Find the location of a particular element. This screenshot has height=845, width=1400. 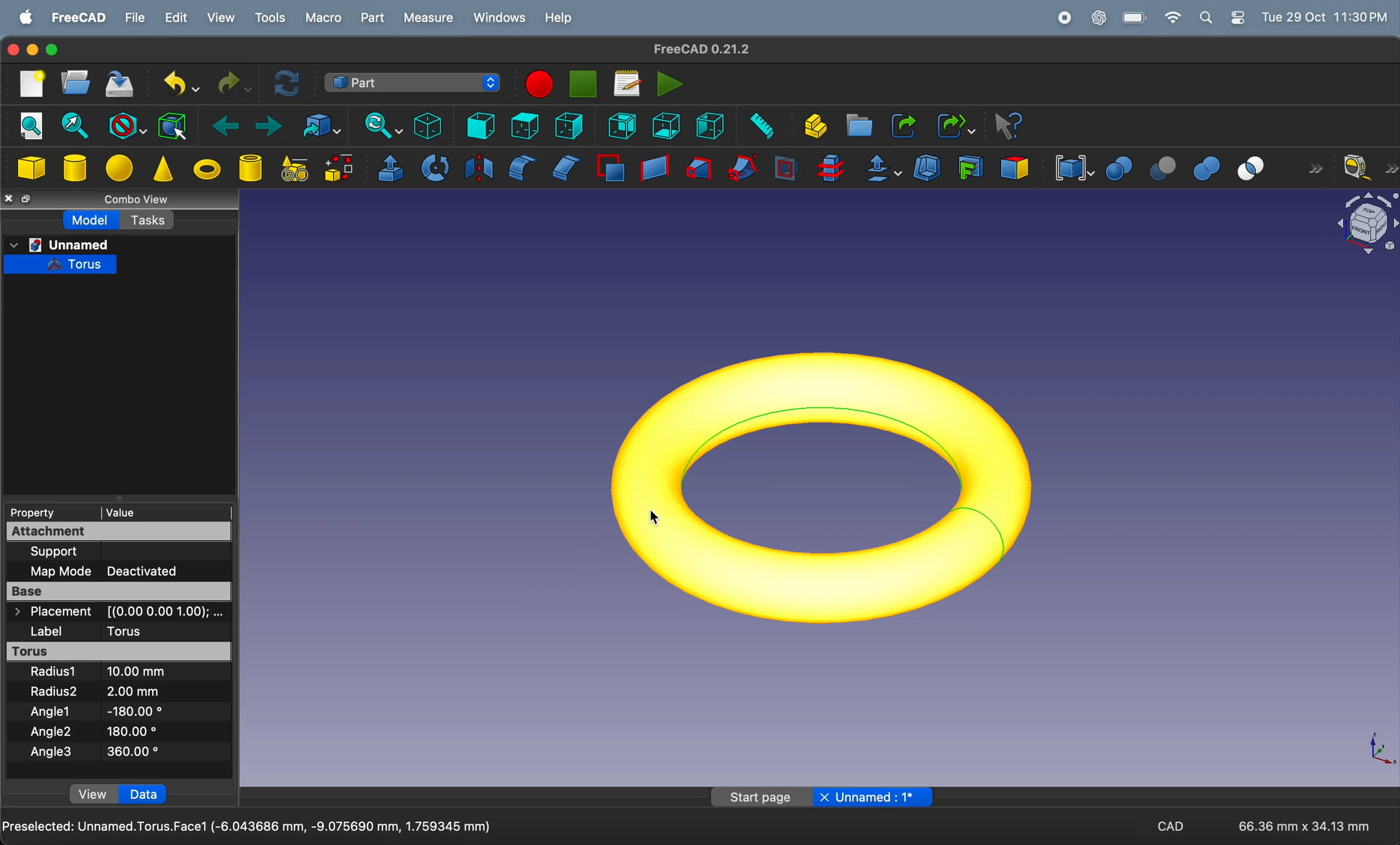

cone is located at coordinates (163, 170).